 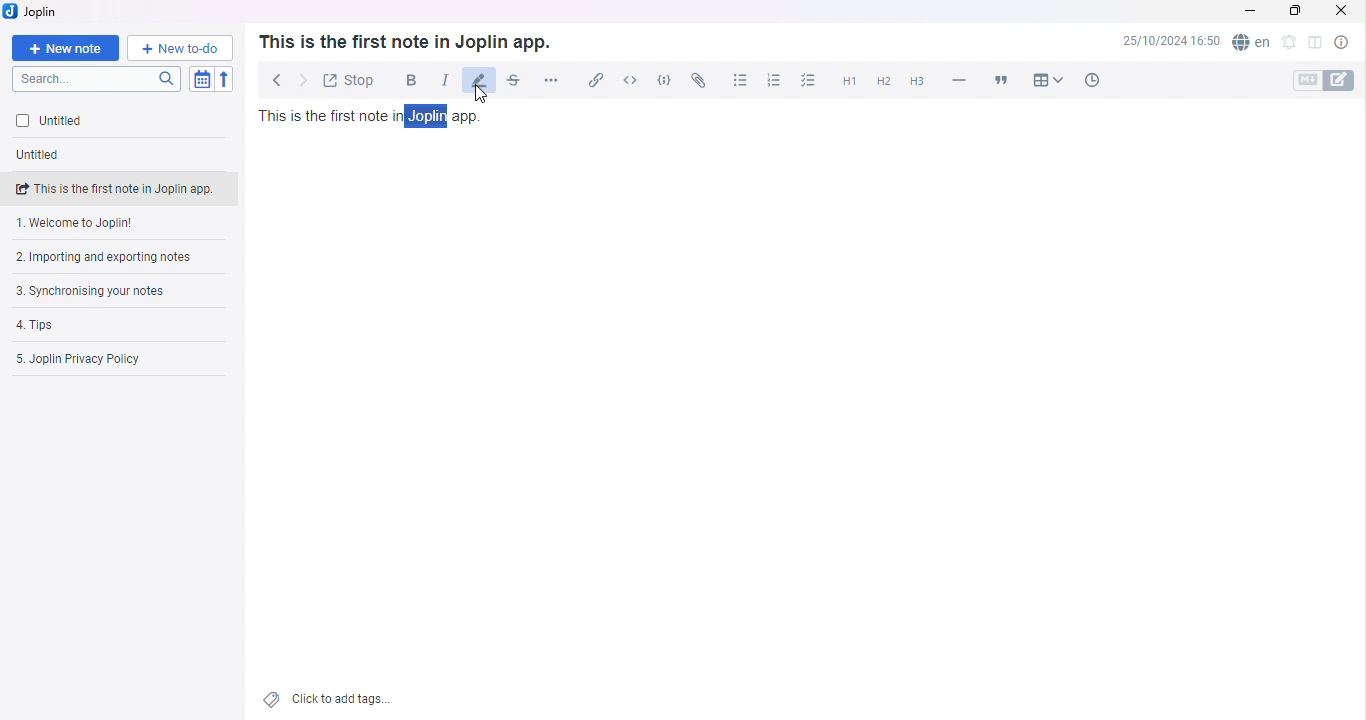 I want to click on Bold, so click(x=406, y=79).